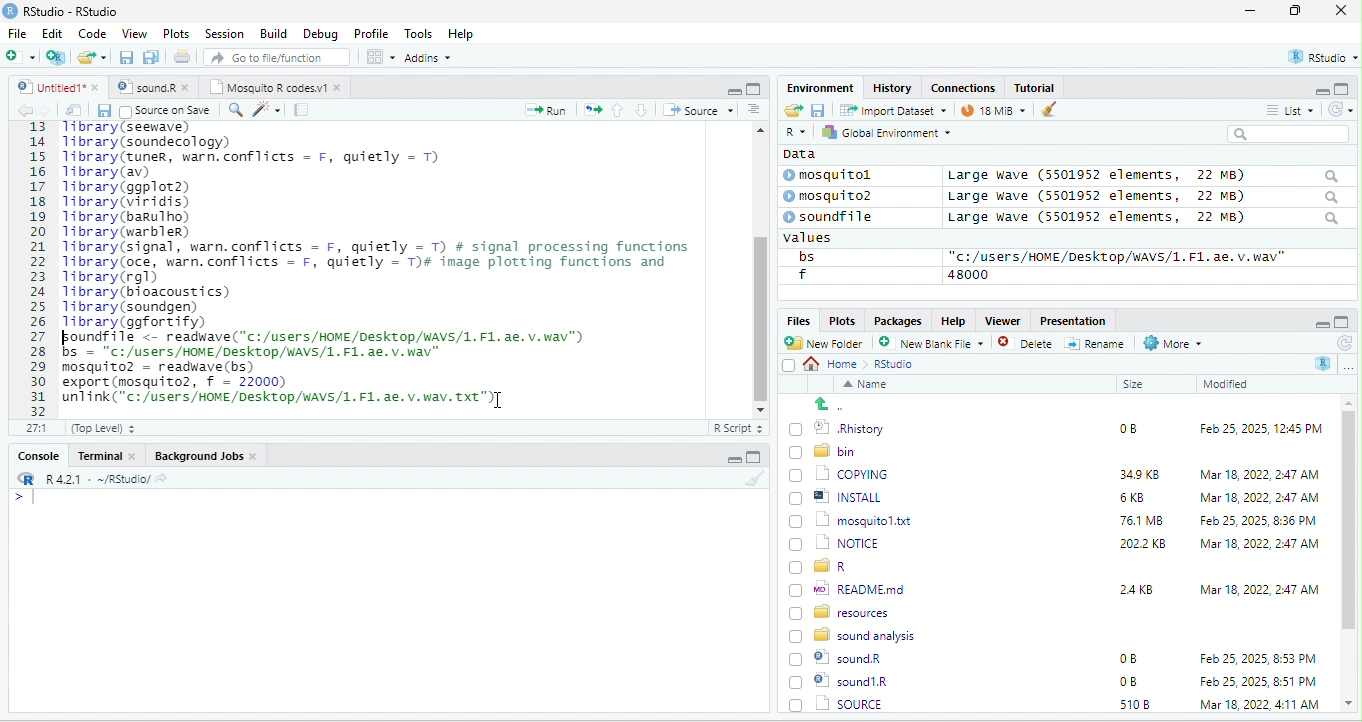 This screenshot has height=722, width=1362. Describe the element at coordinates (753, 108) in the screenshot. I see `sort` at that location.